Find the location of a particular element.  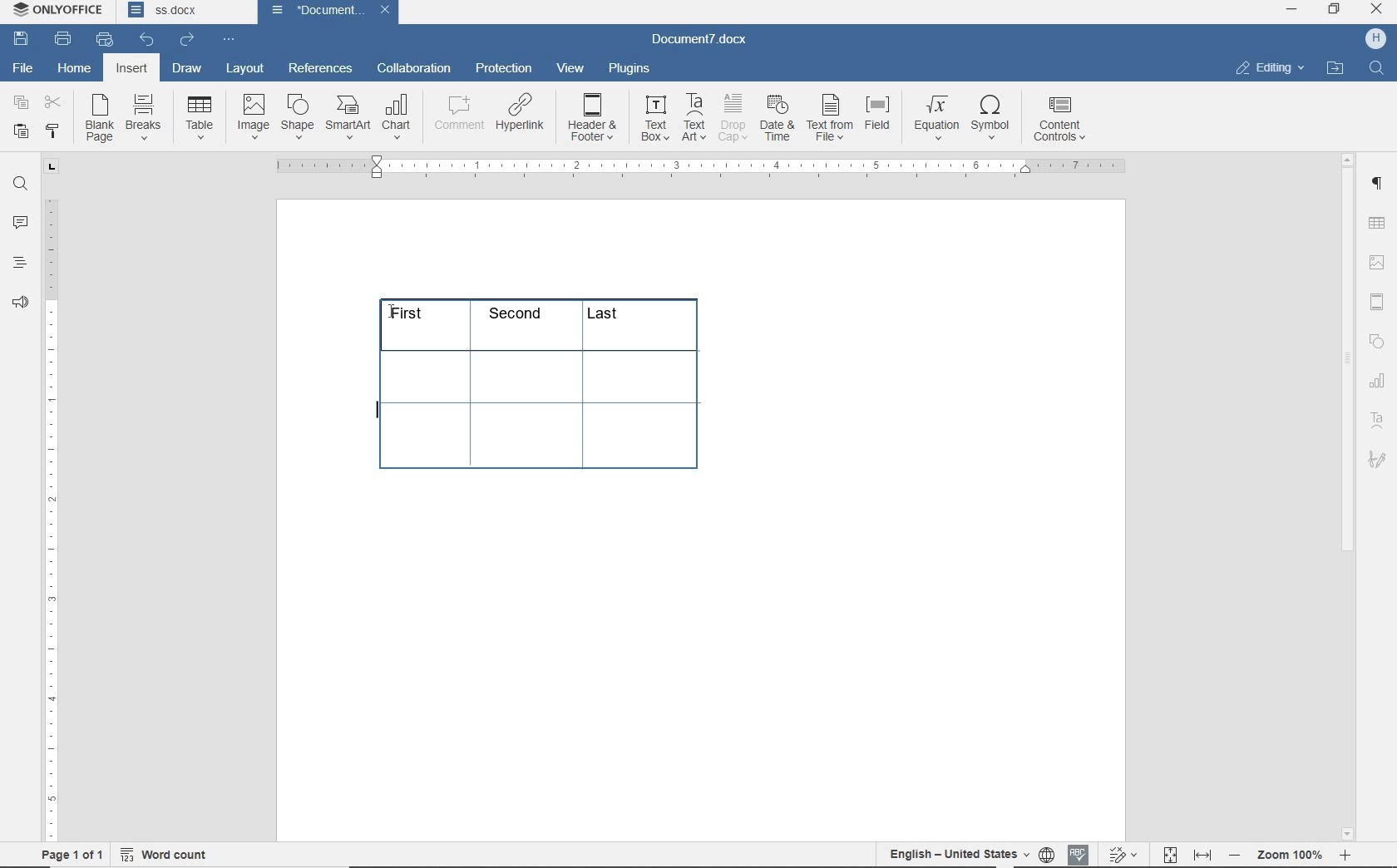

undo is located at coordinates (146, 38).